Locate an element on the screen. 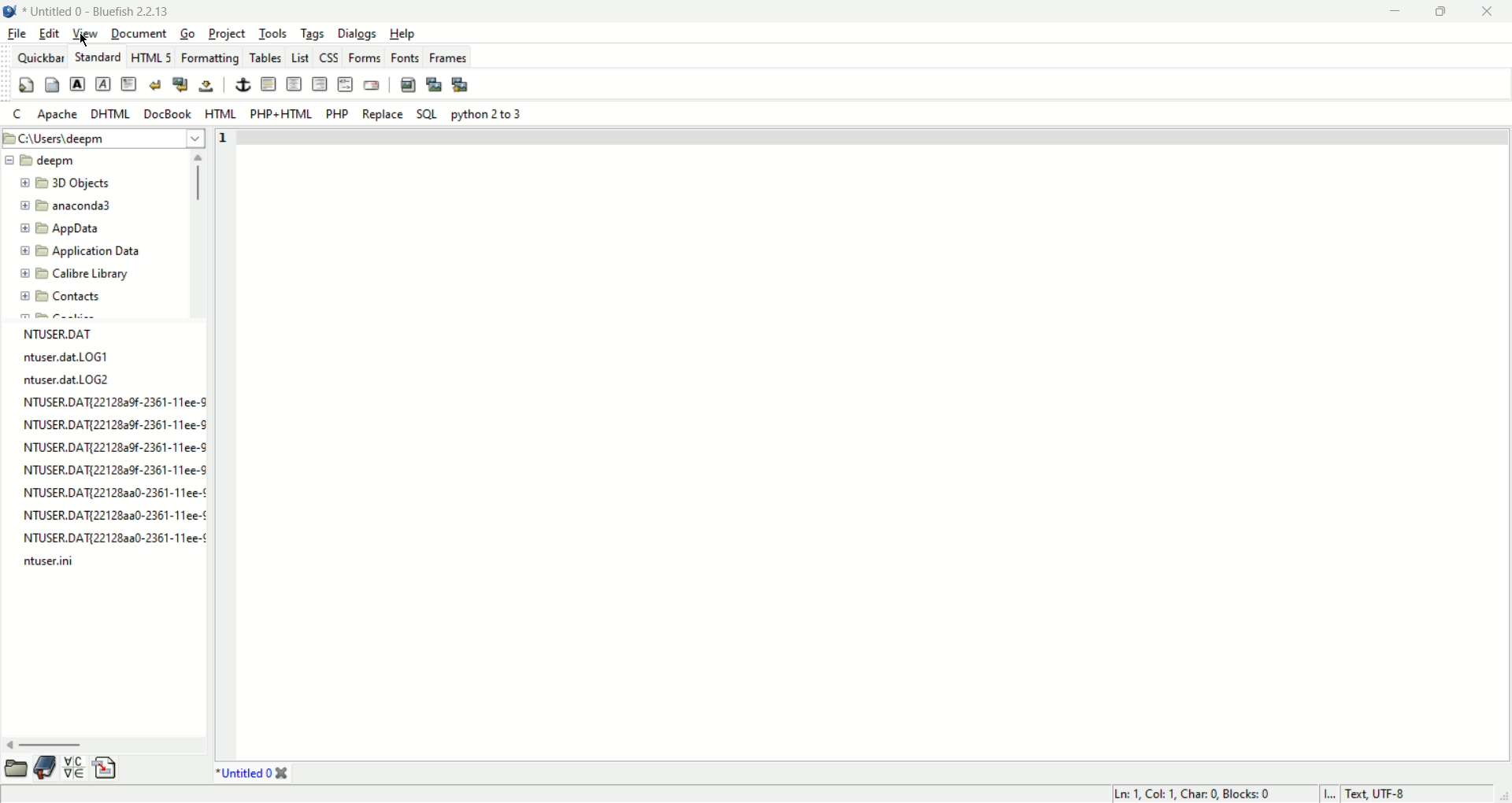 The height and width of the screenshot is (803, 1512). contact is located at coordinates (62, 298).